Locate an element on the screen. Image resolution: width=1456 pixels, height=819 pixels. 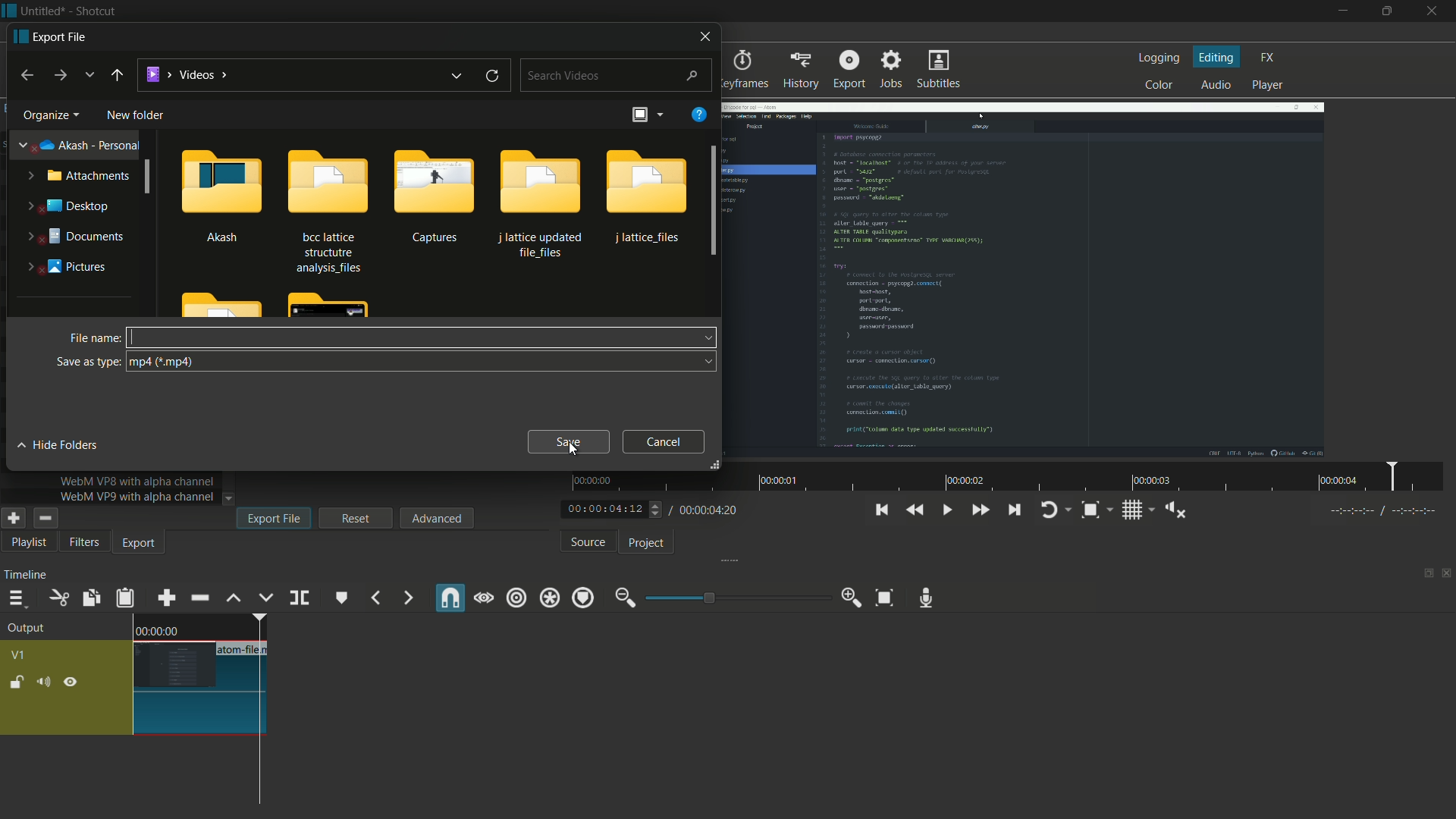
change the view is located at coordinates (641, 114).